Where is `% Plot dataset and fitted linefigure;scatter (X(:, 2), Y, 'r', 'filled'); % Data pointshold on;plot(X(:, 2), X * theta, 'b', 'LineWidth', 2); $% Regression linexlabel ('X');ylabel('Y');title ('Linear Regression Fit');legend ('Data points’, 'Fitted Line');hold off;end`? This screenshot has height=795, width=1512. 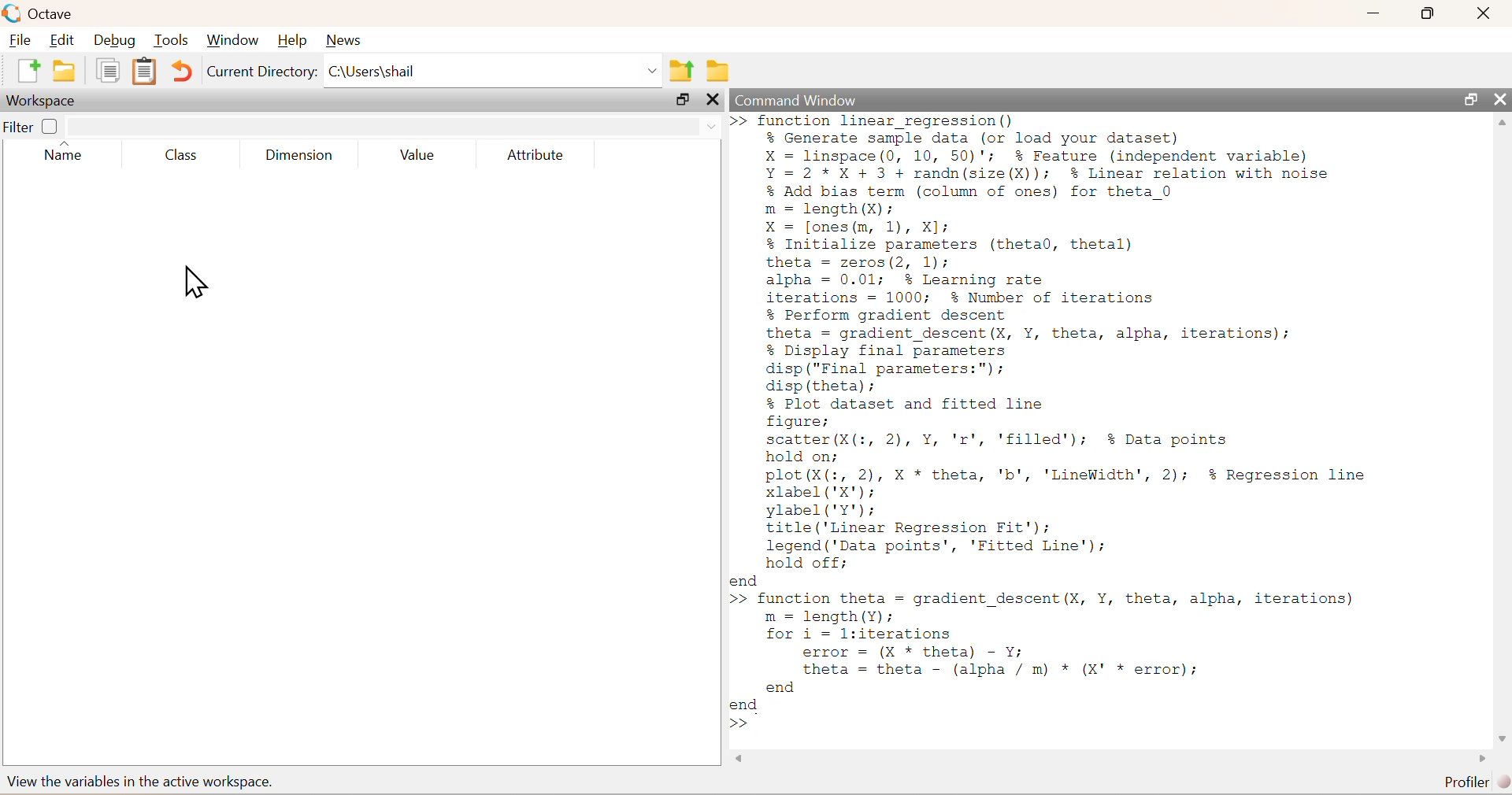 % Plot dataset and fitted linefigure;scatter (X(:, 2), Y, 'r', 'filled'); % Data pointshold on;plot(X(:, 2), X * theta, 'b', 'LineWidth', 2); $% Regression linexlabel ('X');ylabel('Y');title ('Linear Regression Fit');legend ('Data points’, 'Fitted Line');hold off;end is located at coordinates (1060, 493).